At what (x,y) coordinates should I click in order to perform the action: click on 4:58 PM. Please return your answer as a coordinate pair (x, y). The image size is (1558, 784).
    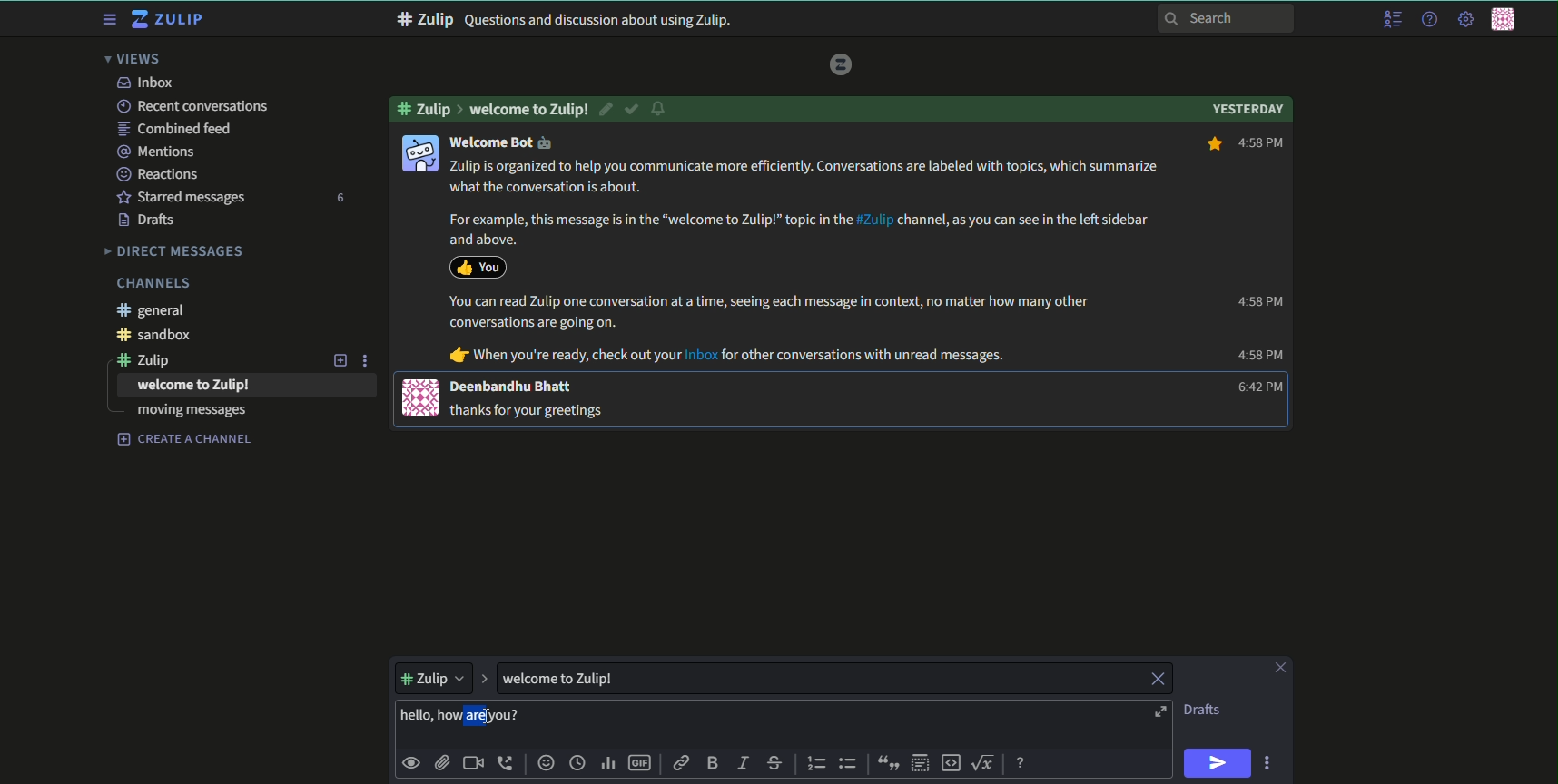
    Looking at the image, I should click on (1258, 301).